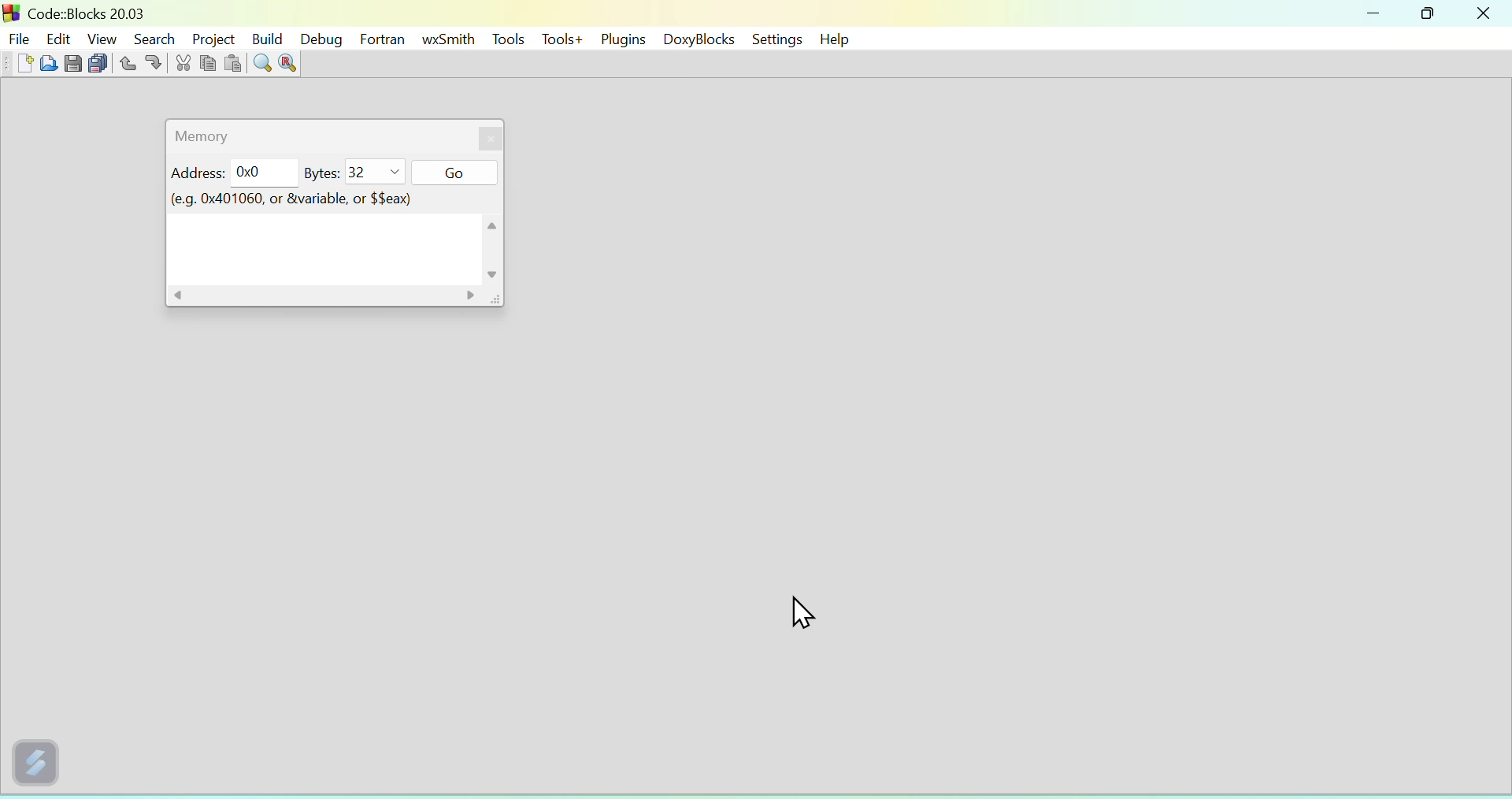 The width and height of the screenshot is (1512, 799). Describe the element at coordinates (776, 39) in the screenshot. I see `settings` at that location.